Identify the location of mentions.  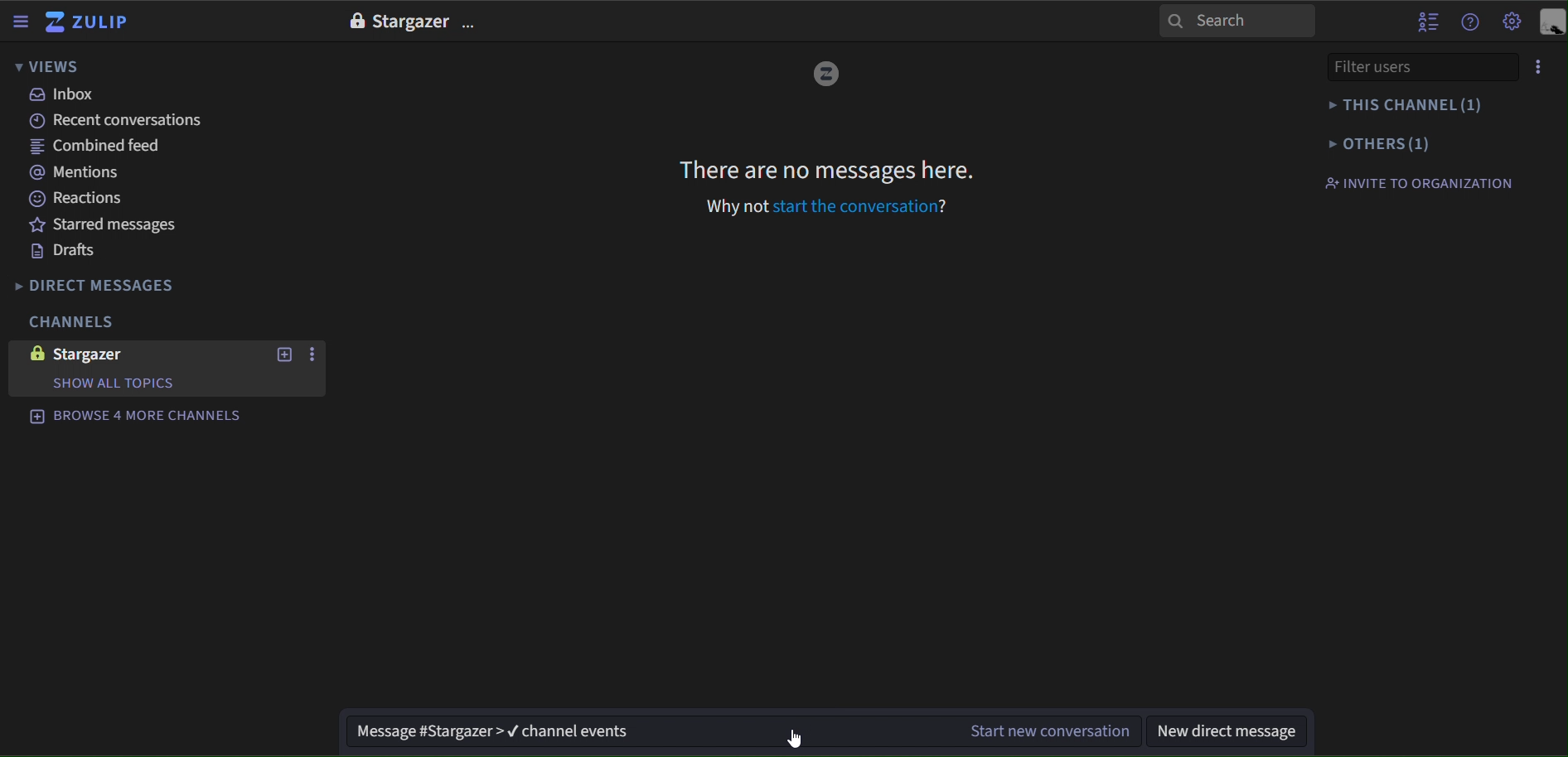
(82, 174).